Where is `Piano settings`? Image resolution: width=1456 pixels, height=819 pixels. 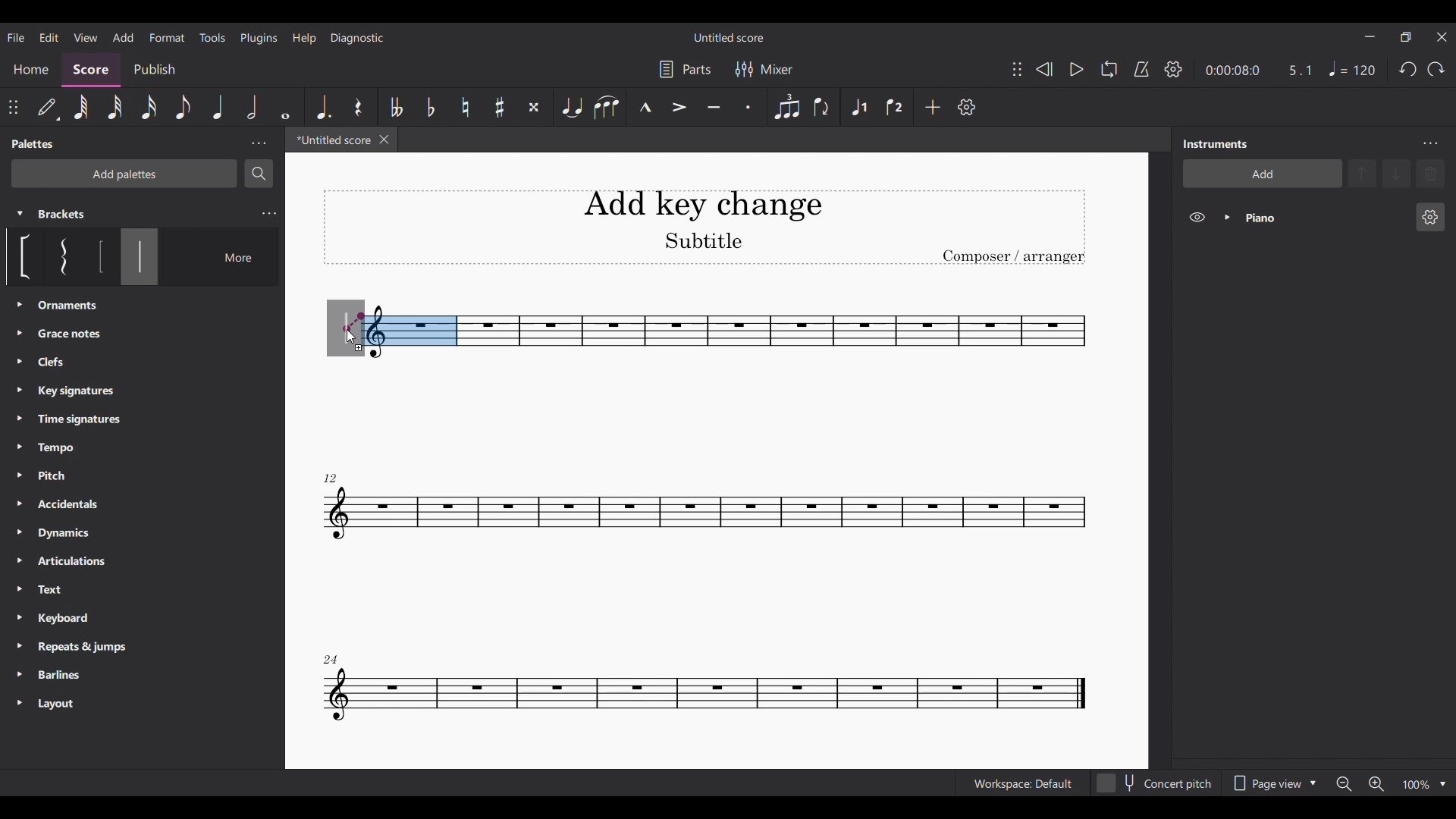 Piano settings is located at coordinates (1431, 217).